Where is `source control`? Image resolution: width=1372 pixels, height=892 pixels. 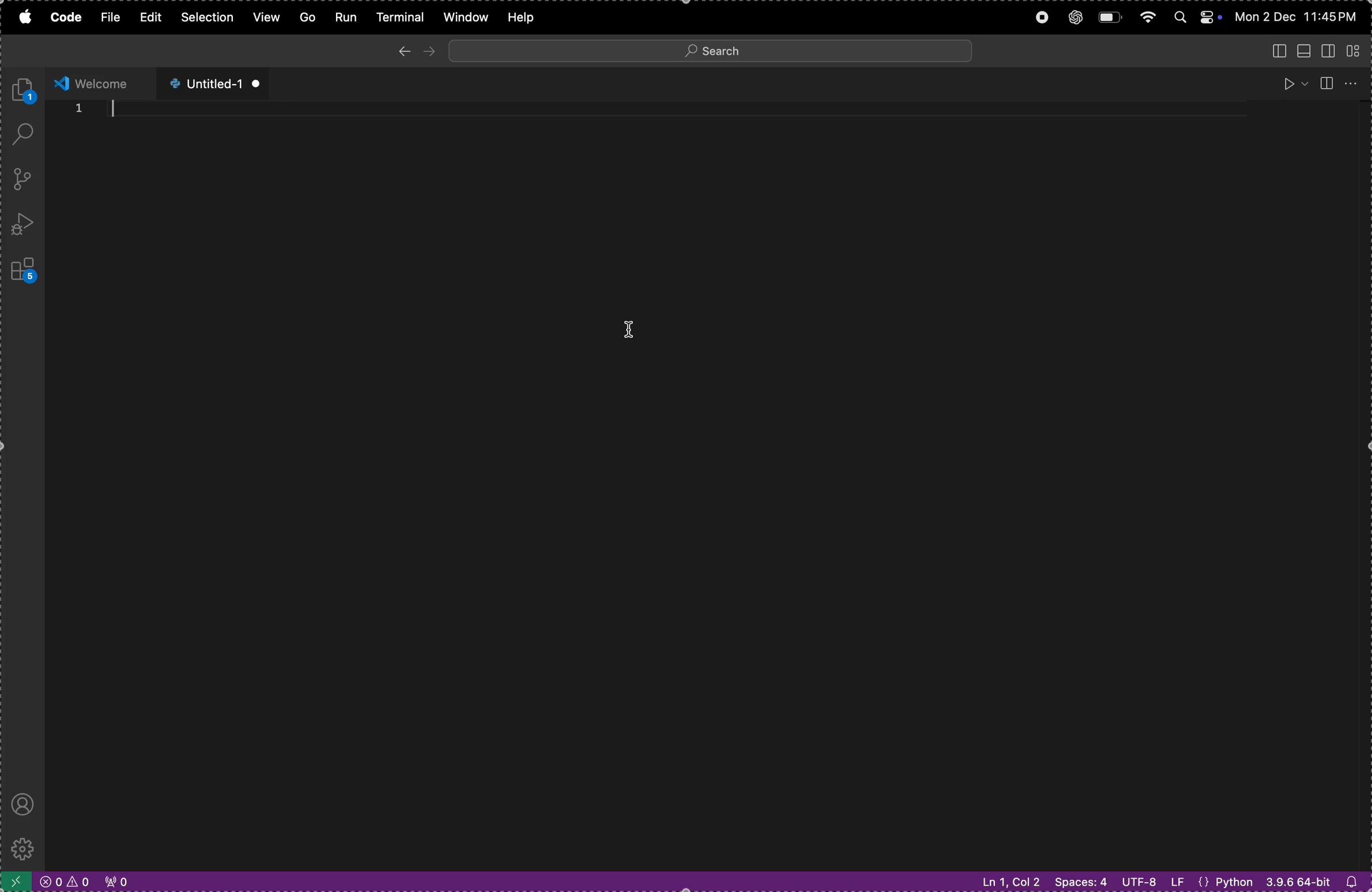 source control is located at coordinates (19, 179).